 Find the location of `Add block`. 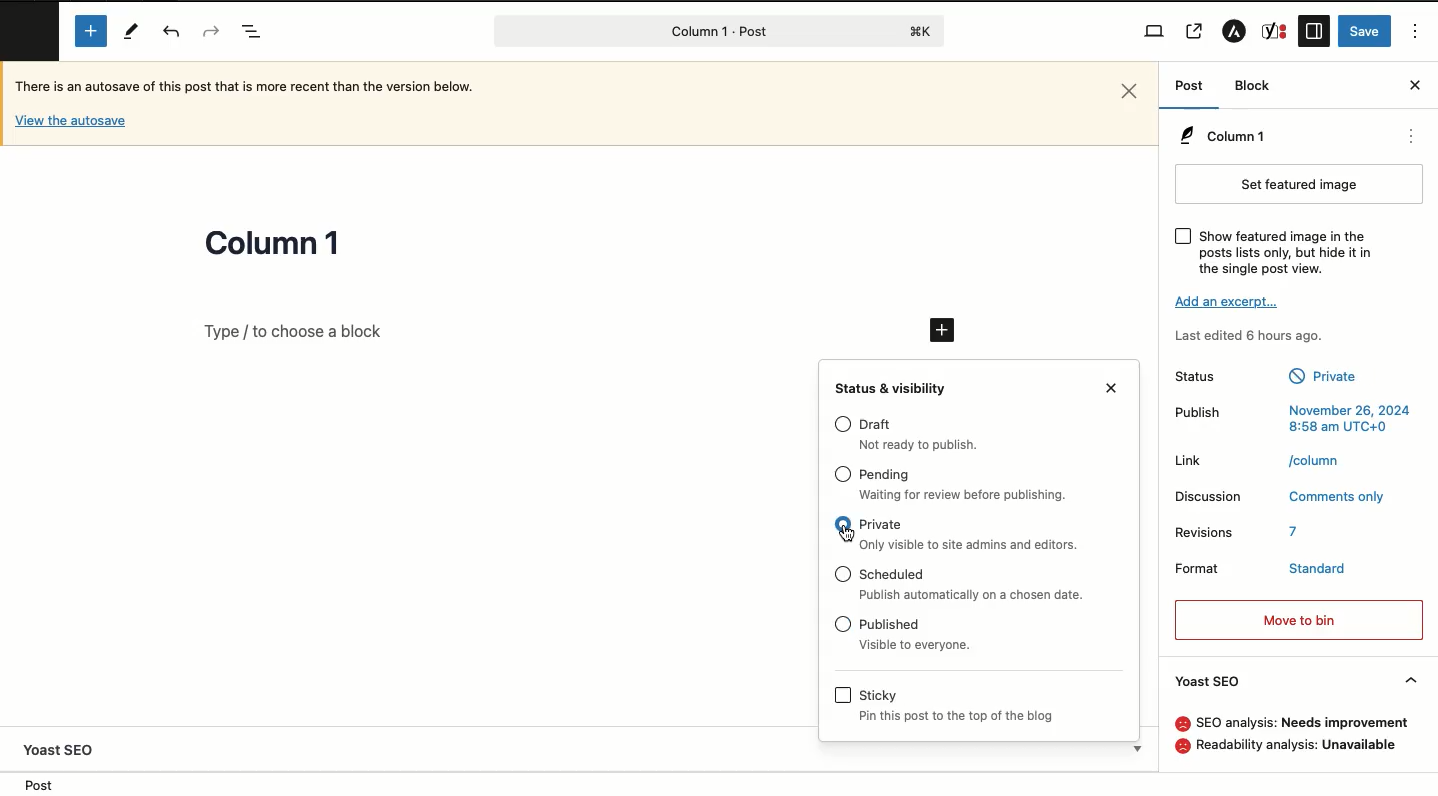

Add block is located at coordinates (545, 331).